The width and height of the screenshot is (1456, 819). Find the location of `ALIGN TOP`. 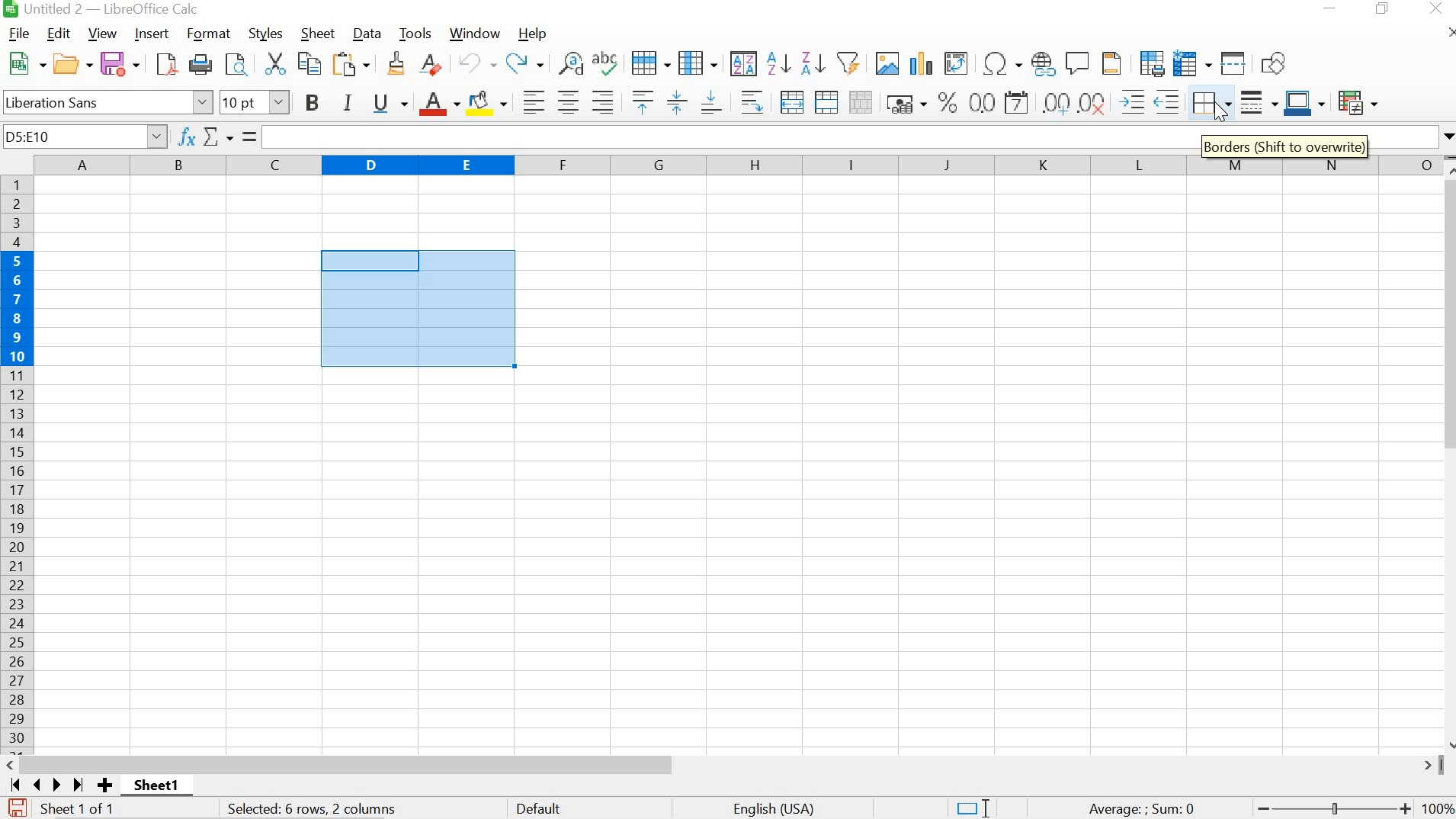

ALIGN TOP is located at coordinates (643, 101).